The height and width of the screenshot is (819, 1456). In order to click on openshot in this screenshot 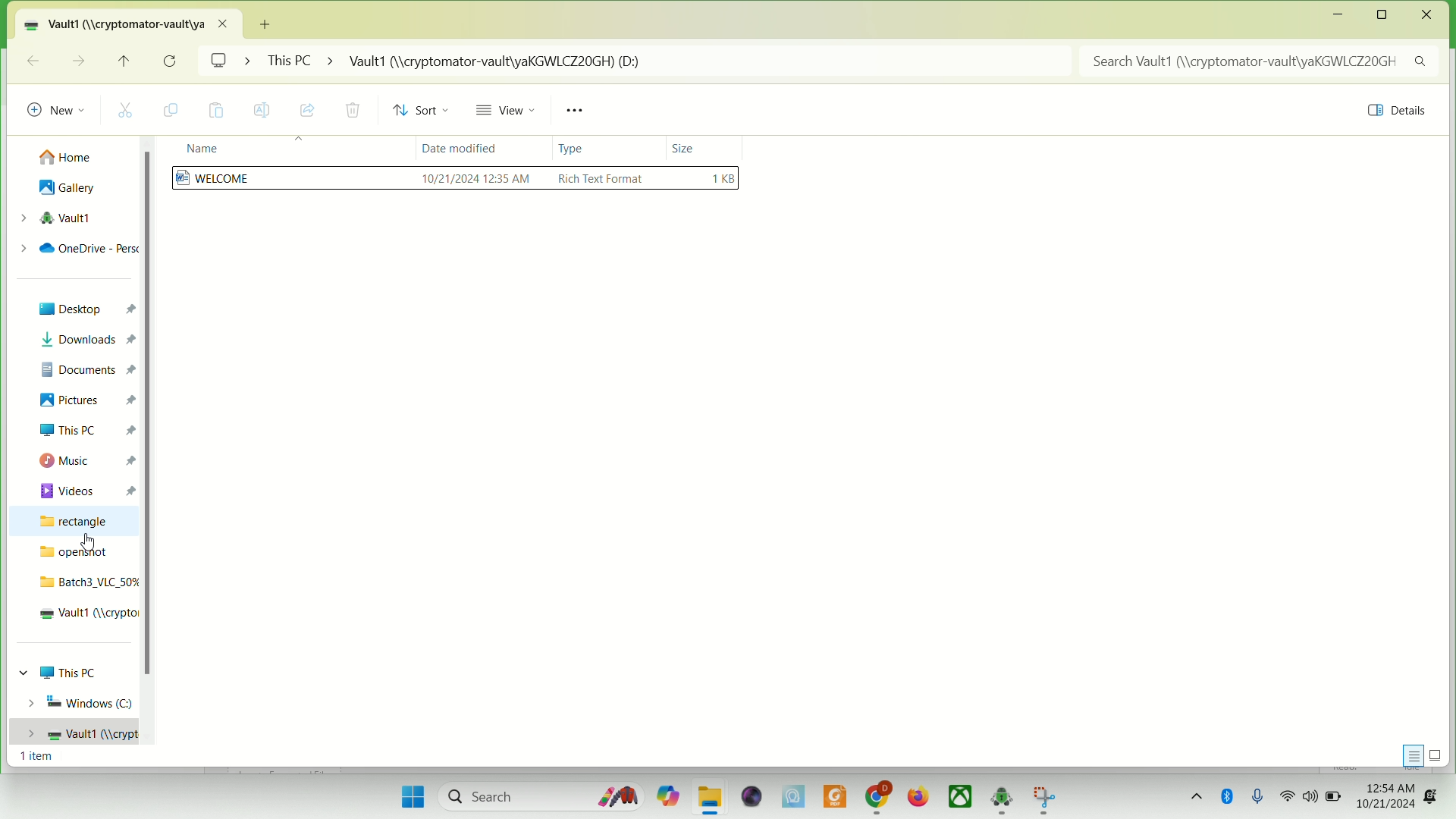, I will do `click(74, 554)`.